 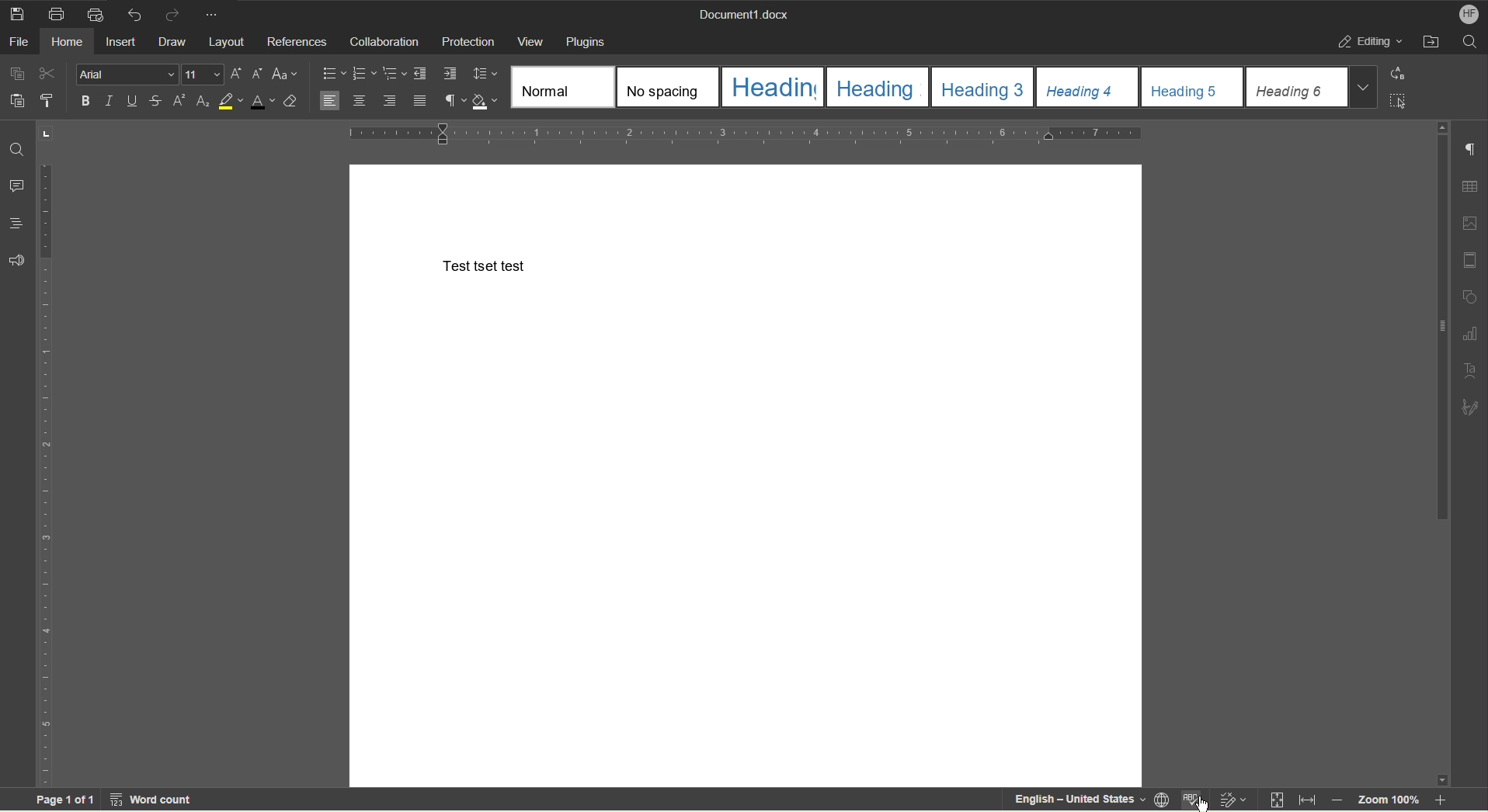 What do you see at coordinates (335, 74) in the screenshot?
I see `Bullet List` at bounding box center [335, 74].